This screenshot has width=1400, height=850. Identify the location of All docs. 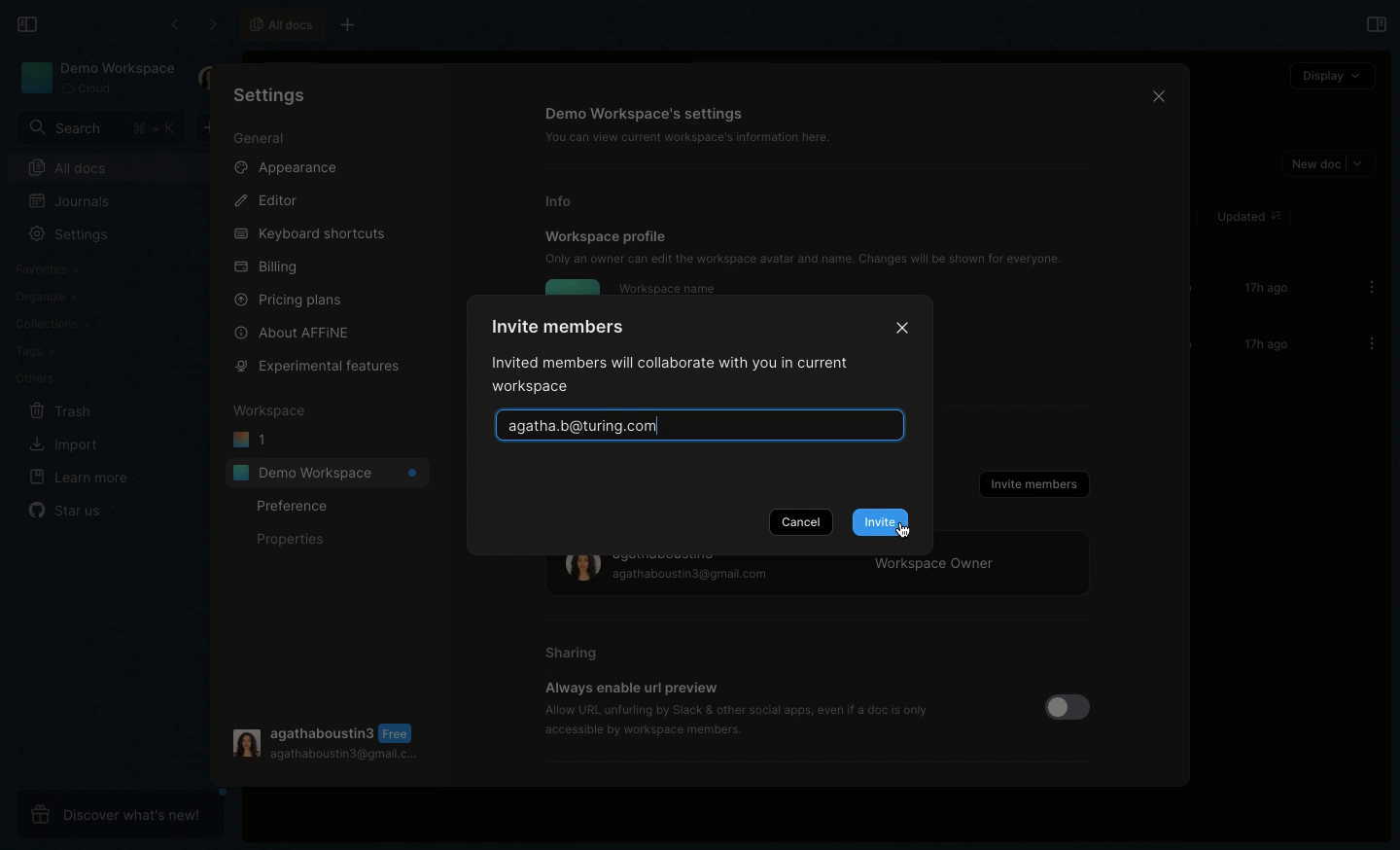
(280, 24).